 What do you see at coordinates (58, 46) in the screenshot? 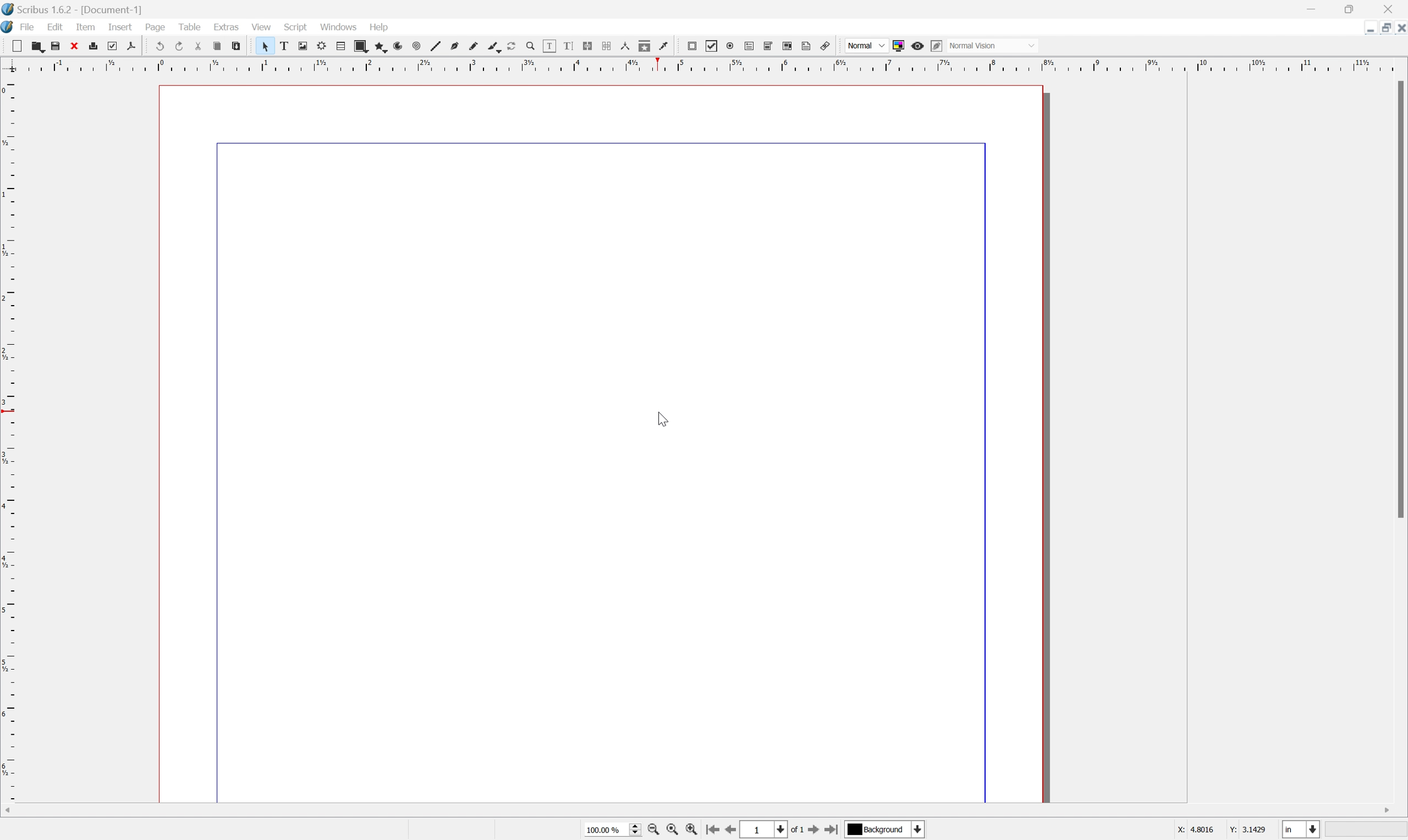
I see `save` at bounding box center [58, 46].